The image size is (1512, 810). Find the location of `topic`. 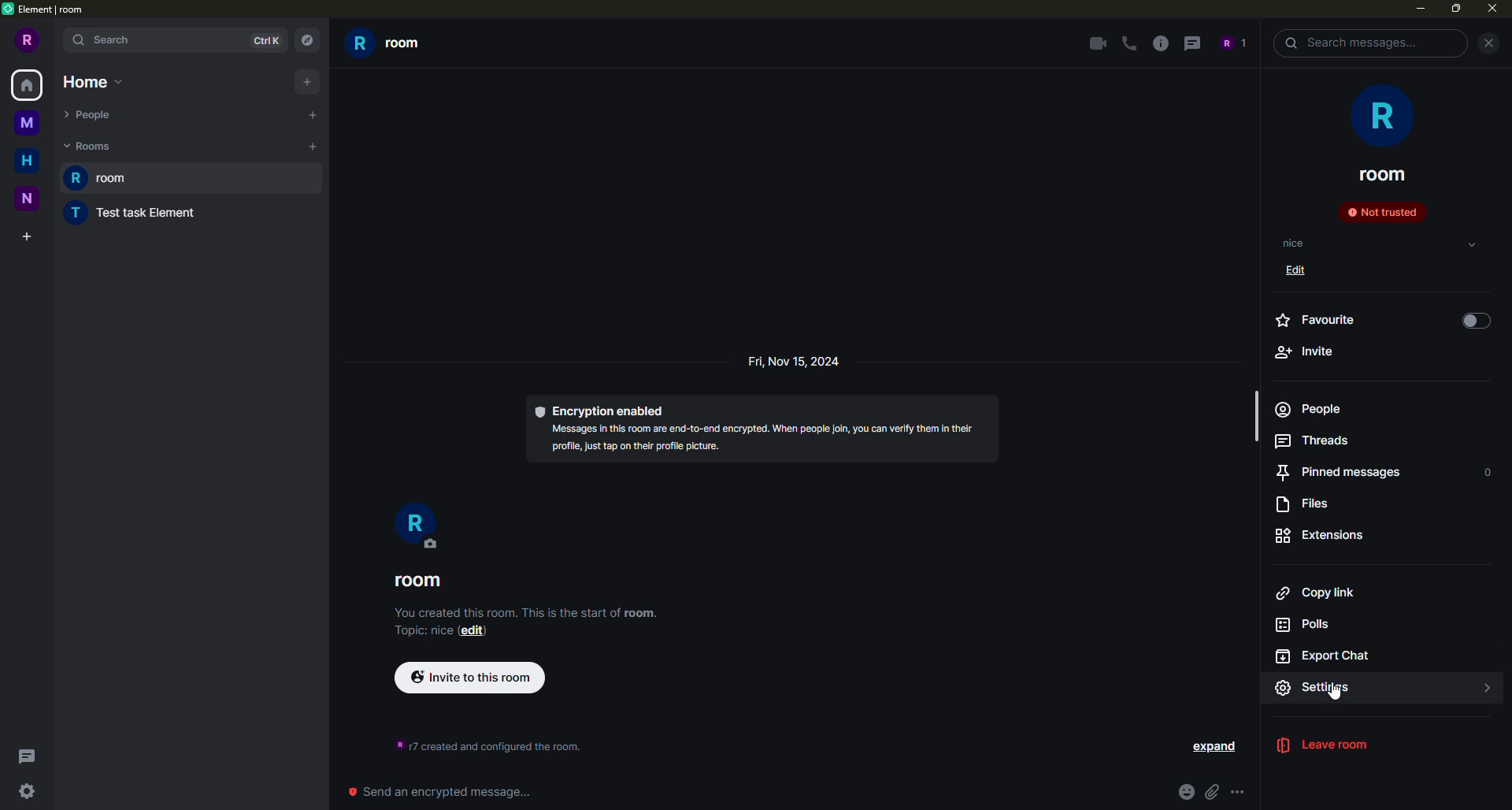

topic is located at coordinates (1295, 243).